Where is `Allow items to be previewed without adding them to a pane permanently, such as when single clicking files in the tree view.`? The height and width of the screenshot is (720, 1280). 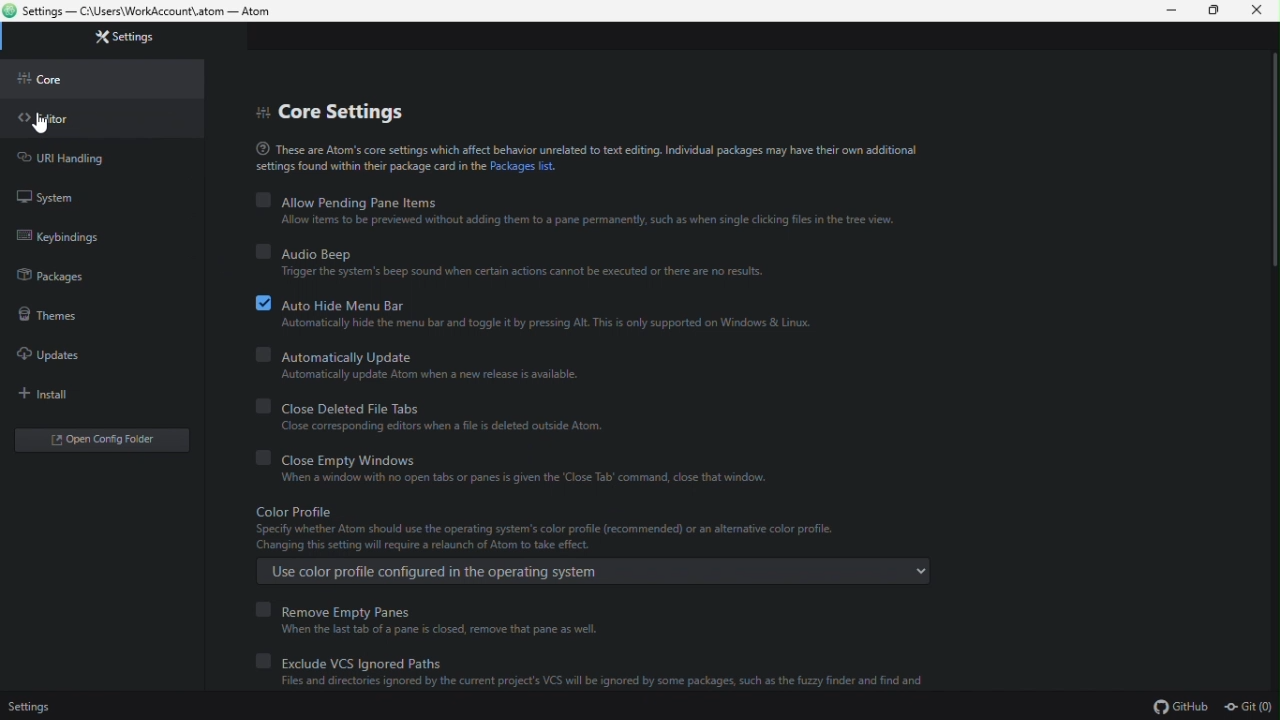
Allow items to be previewed without adding them to a pane permanently, such as when single clicking files in the tree view. is located at coordinates (579, 221).